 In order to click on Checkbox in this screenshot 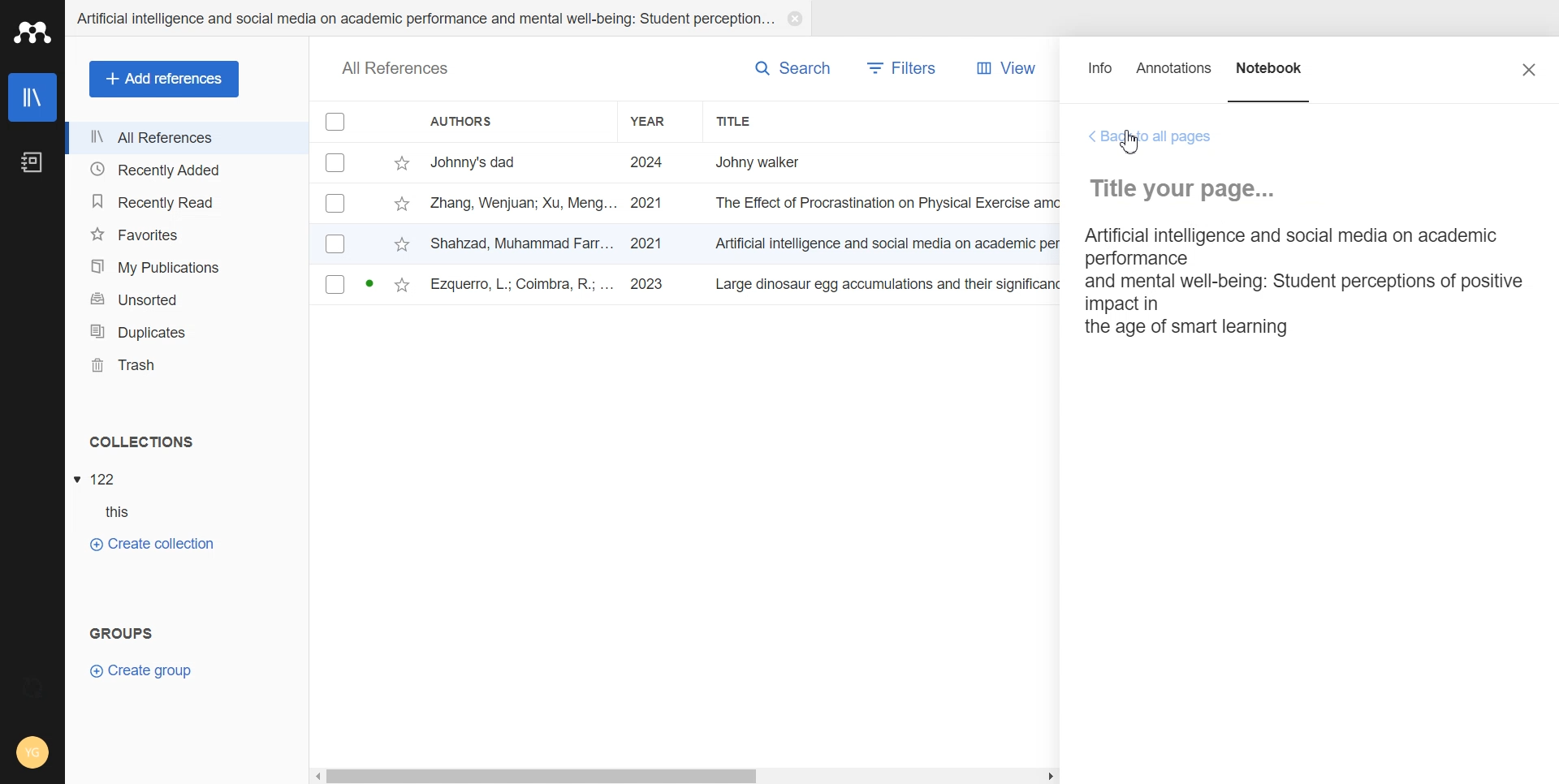, I will do `click(335, 284)`.